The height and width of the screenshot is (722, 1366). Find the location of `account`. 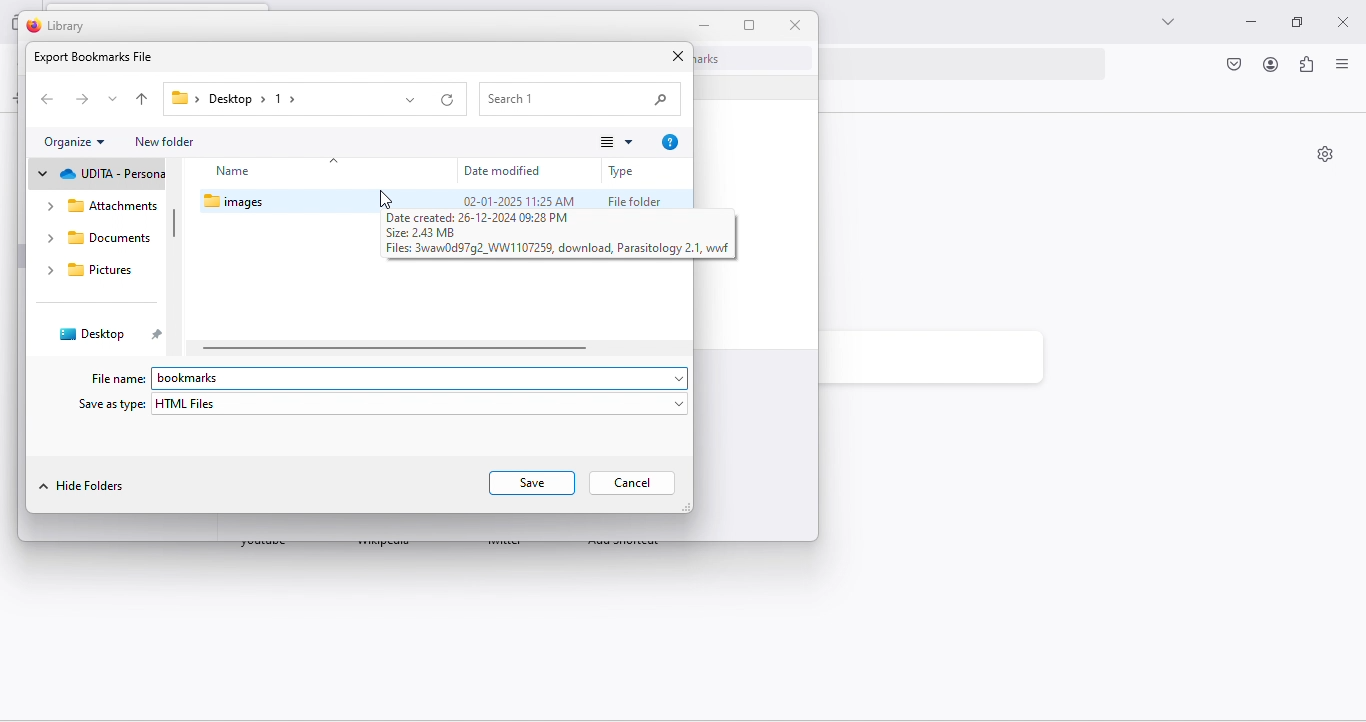

account is located at coordinates (1270, 66).